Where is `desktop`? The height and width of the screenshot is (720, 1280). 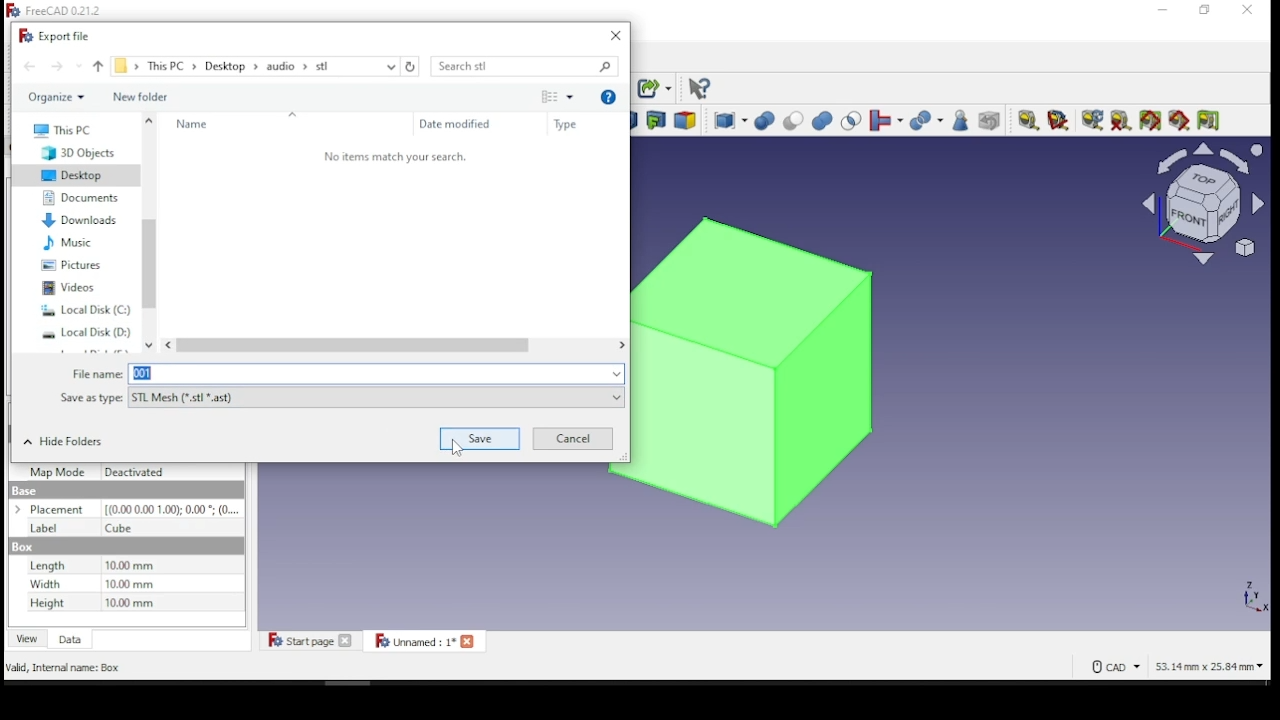
desktop is located at coordinates (225, 66).